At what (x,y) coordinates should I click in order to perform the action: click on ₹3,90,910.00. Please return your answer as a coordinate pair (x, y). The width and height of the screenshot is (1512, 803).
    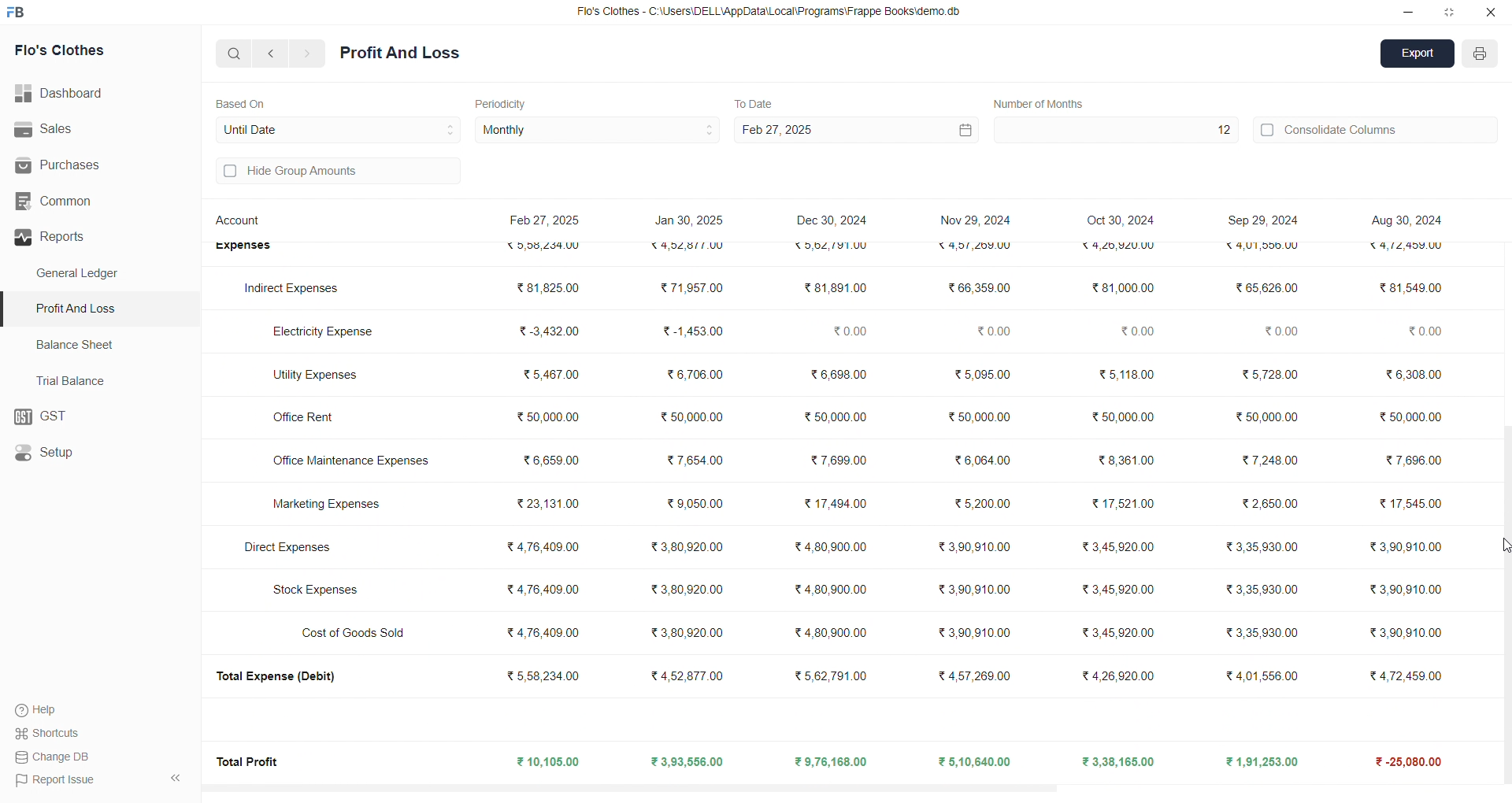
    Looking at the image, I should click on (1405, 549).